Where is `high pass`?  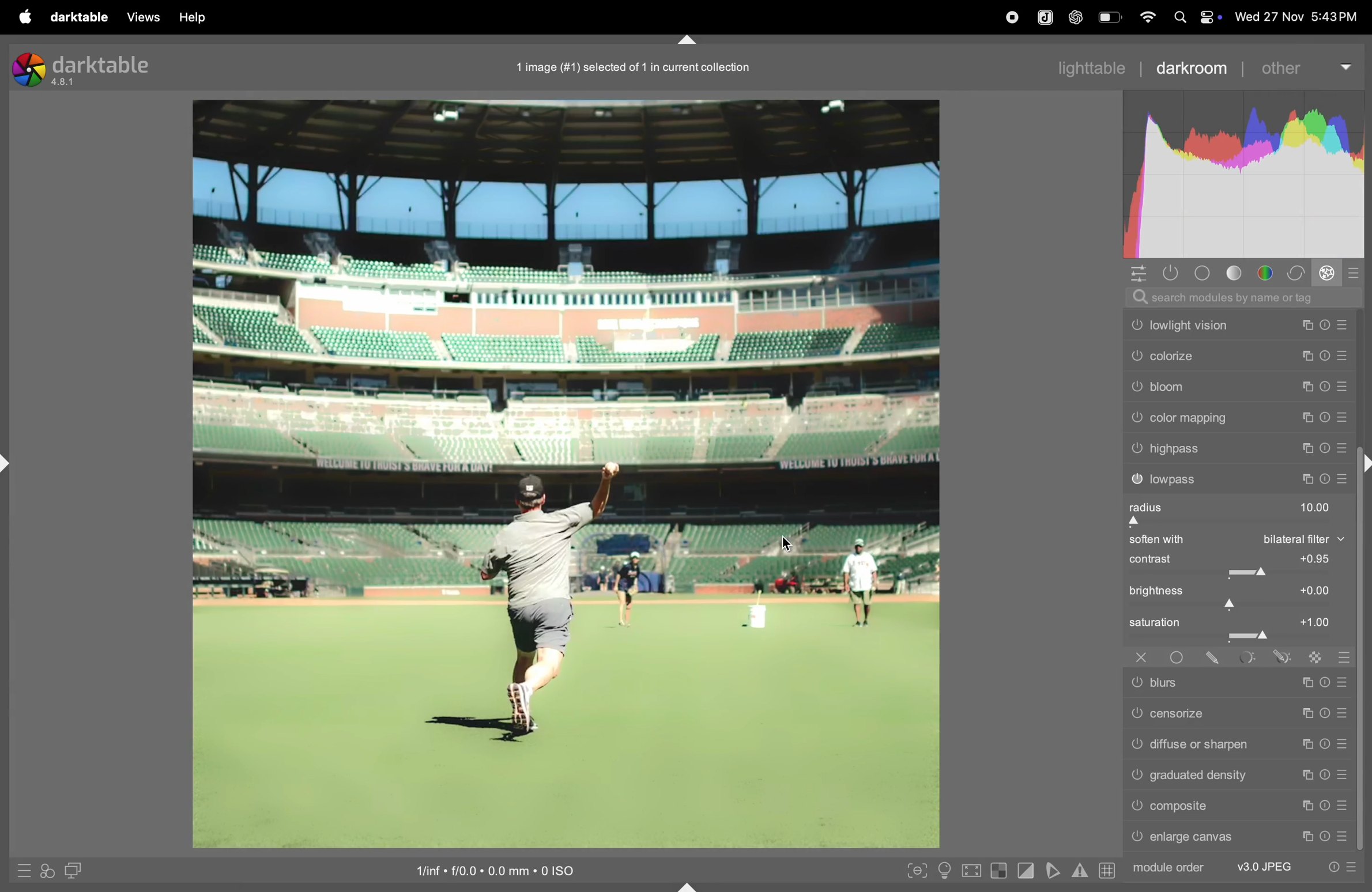
high pass is located at coordinates (1237, 448).